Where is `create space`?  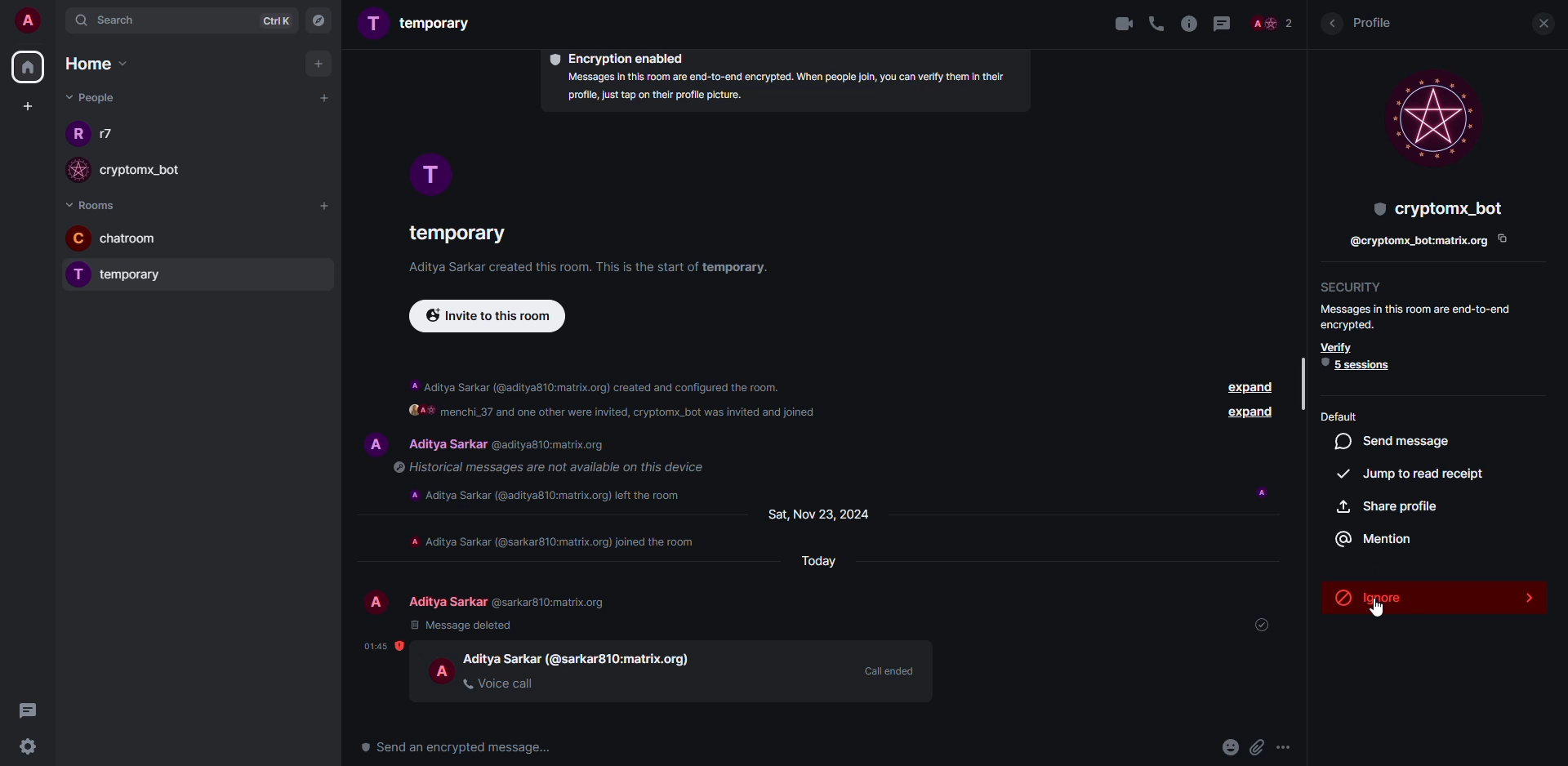
create space is located at coordinates (28, 105).